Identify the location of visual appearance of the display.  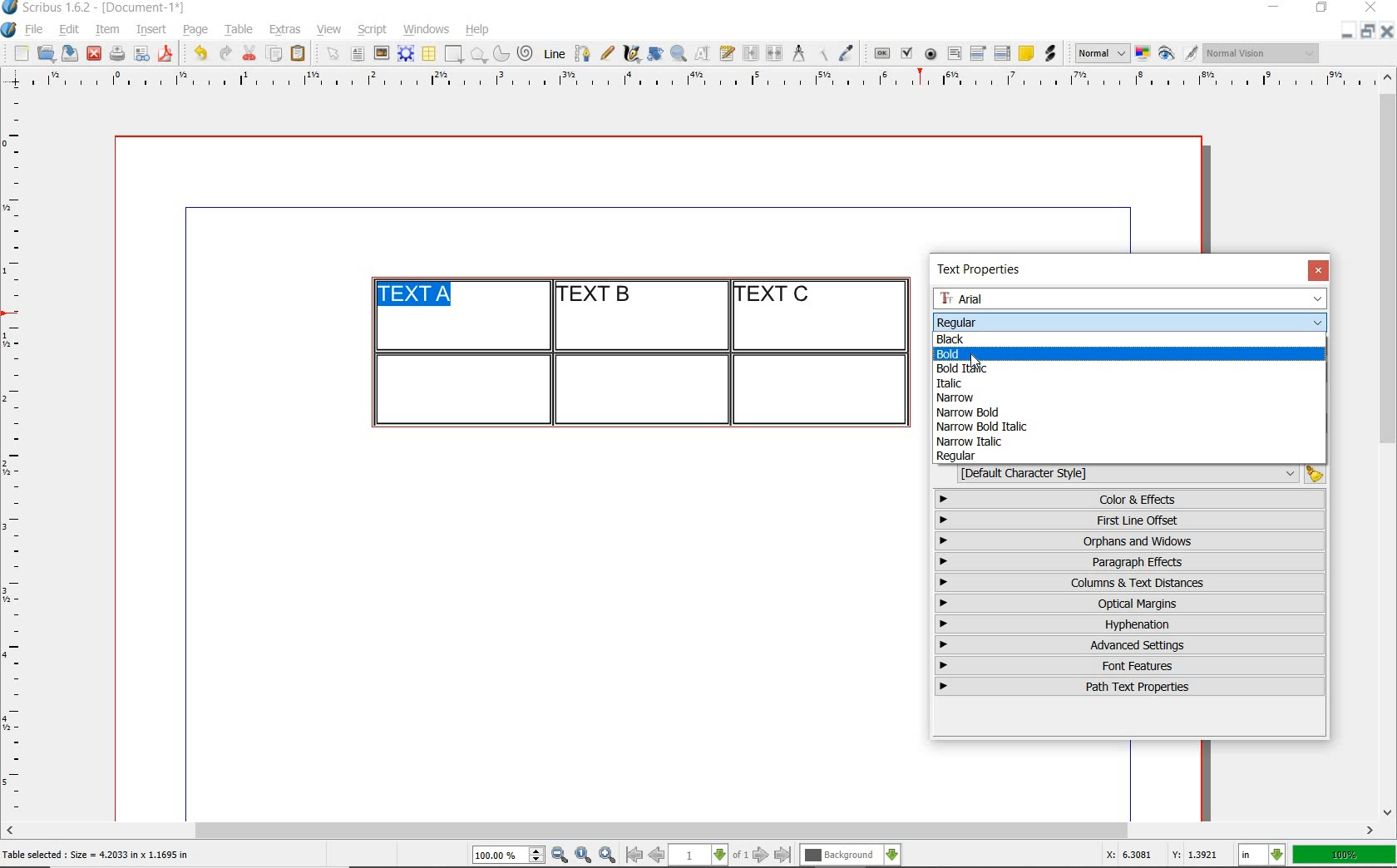
(1262, 53).